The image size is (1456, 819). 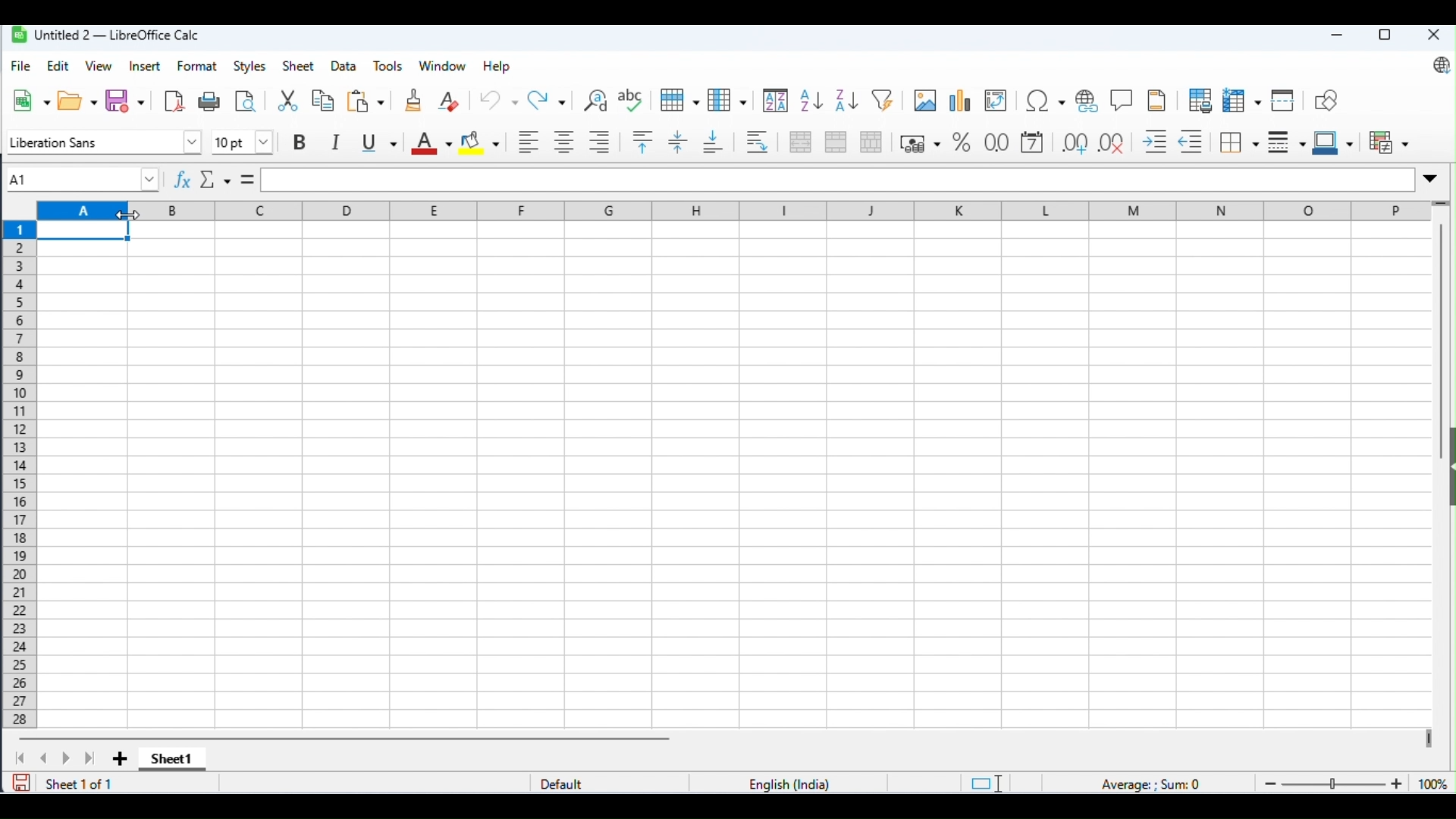 I want to click on border, so click(x=1241, y=142).